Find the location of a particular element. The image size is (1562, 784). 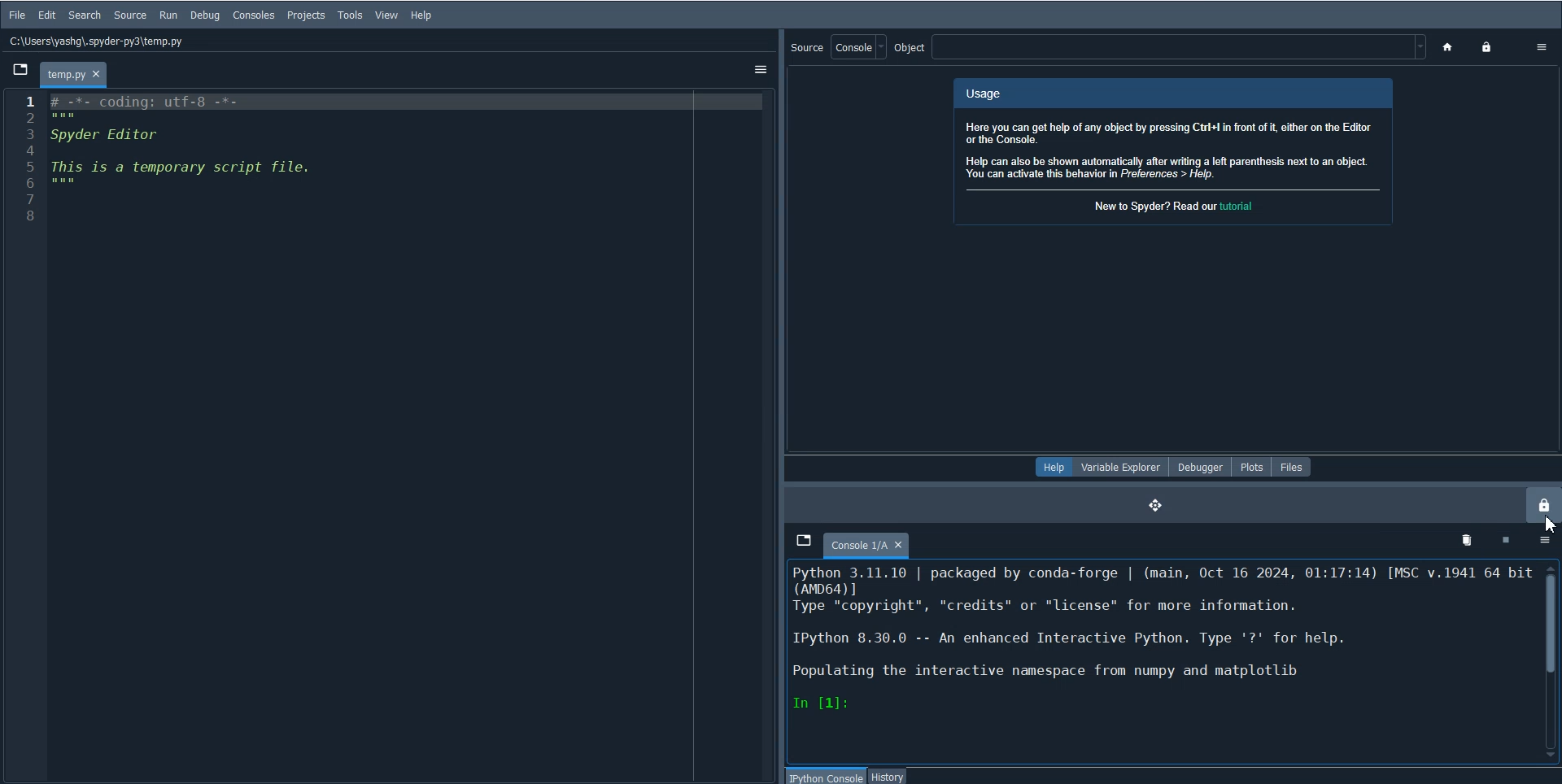

C:\Users\yashg\.spyder-py3\temp.py is located at coordinates (98, 41).